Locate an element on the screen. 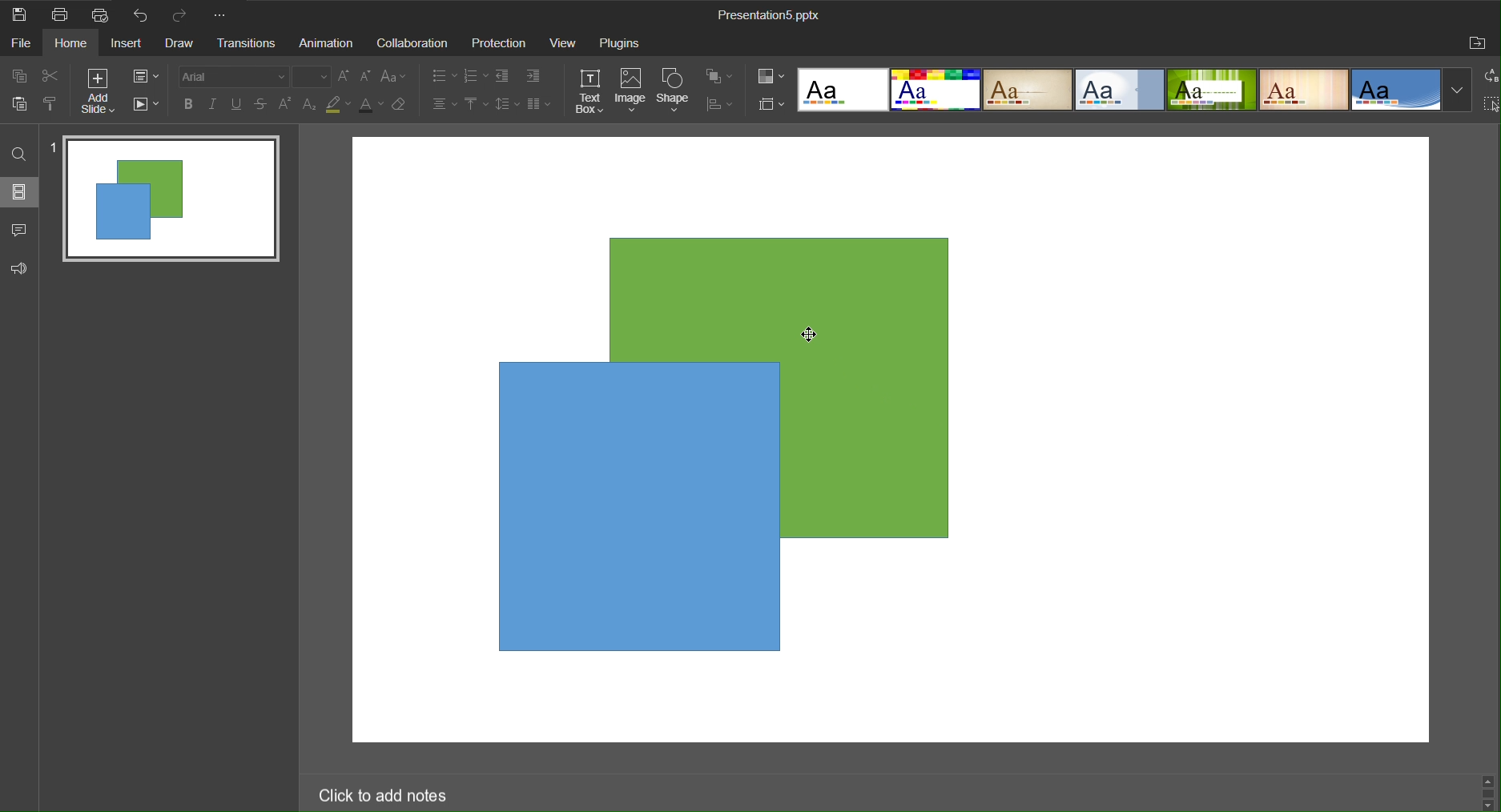  bullet List is located at coordinates (440, 77).